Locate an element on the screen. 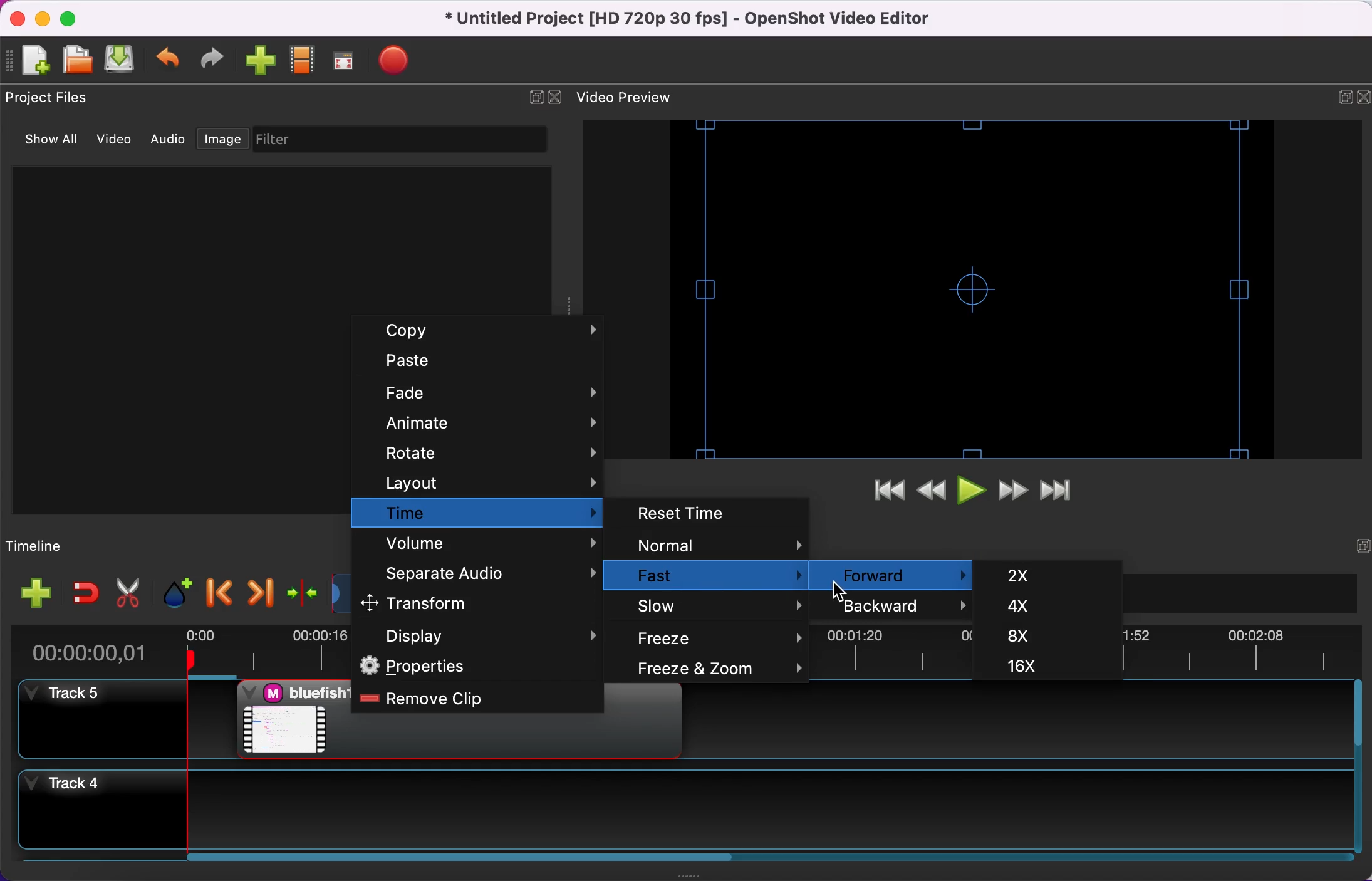 The width and height of the screenshot is (1372, 881). center the timeline is located at coordinates (302, 595).